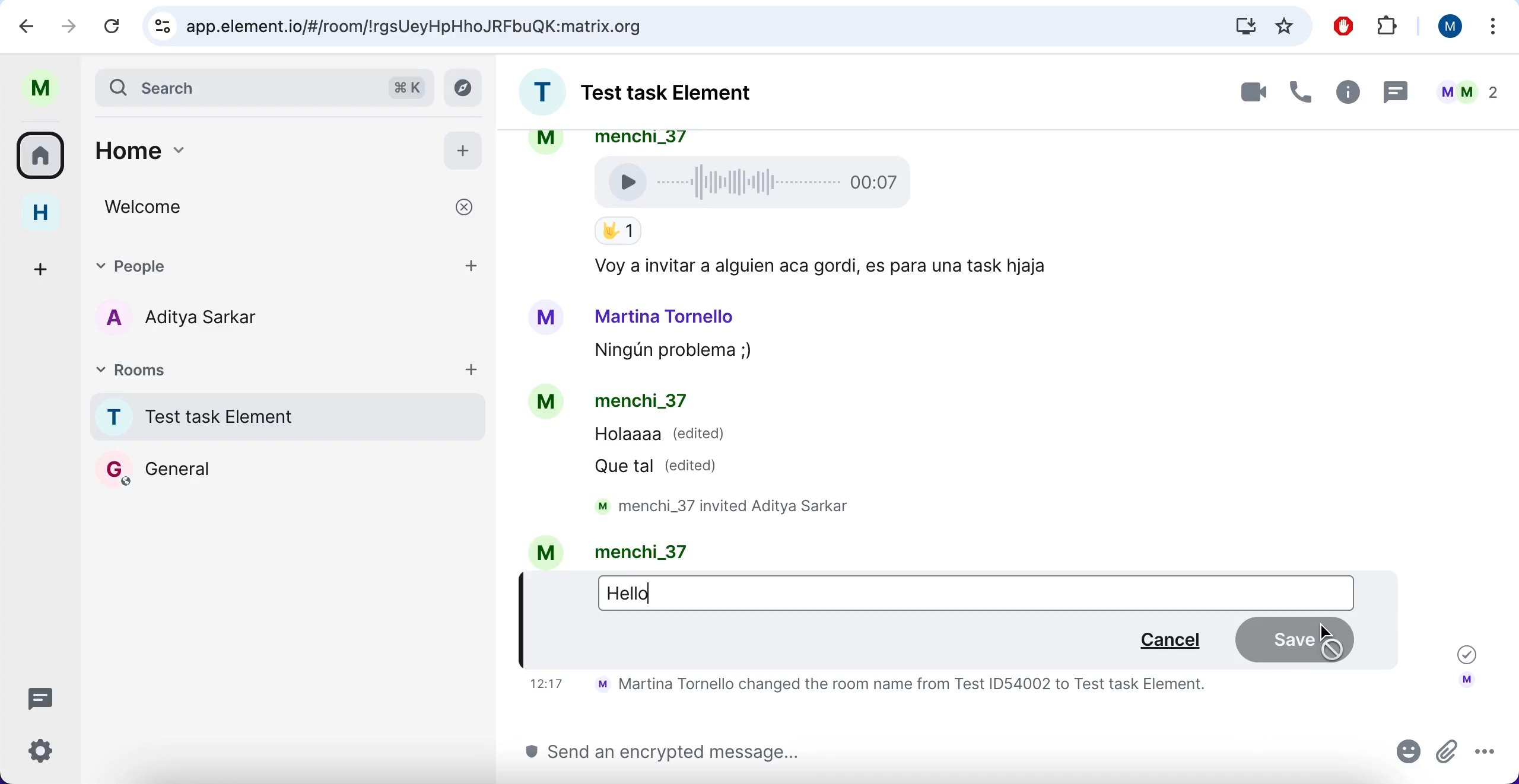  I want to click on emoji, so click(1409, 756).